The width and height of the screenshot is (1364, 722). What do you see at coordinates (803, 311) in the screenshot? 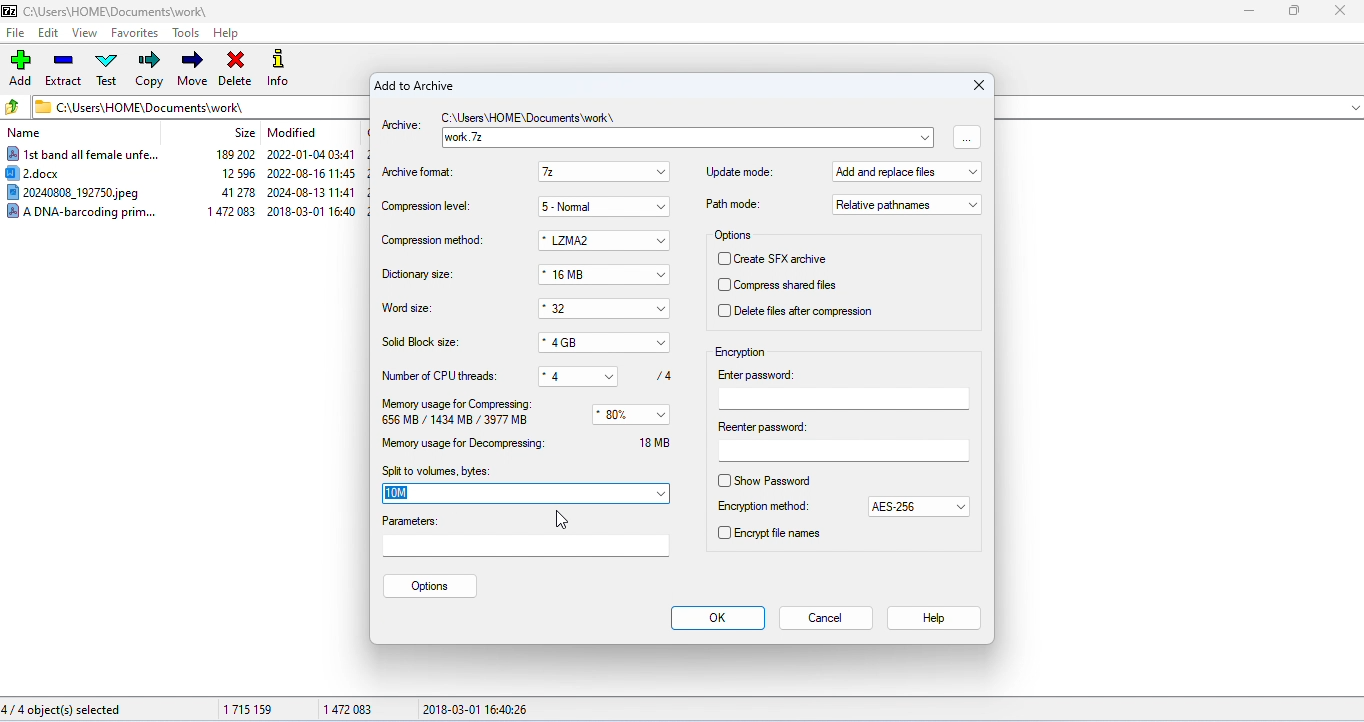
I see `delete files after compression` at bounding box center [803, 311].